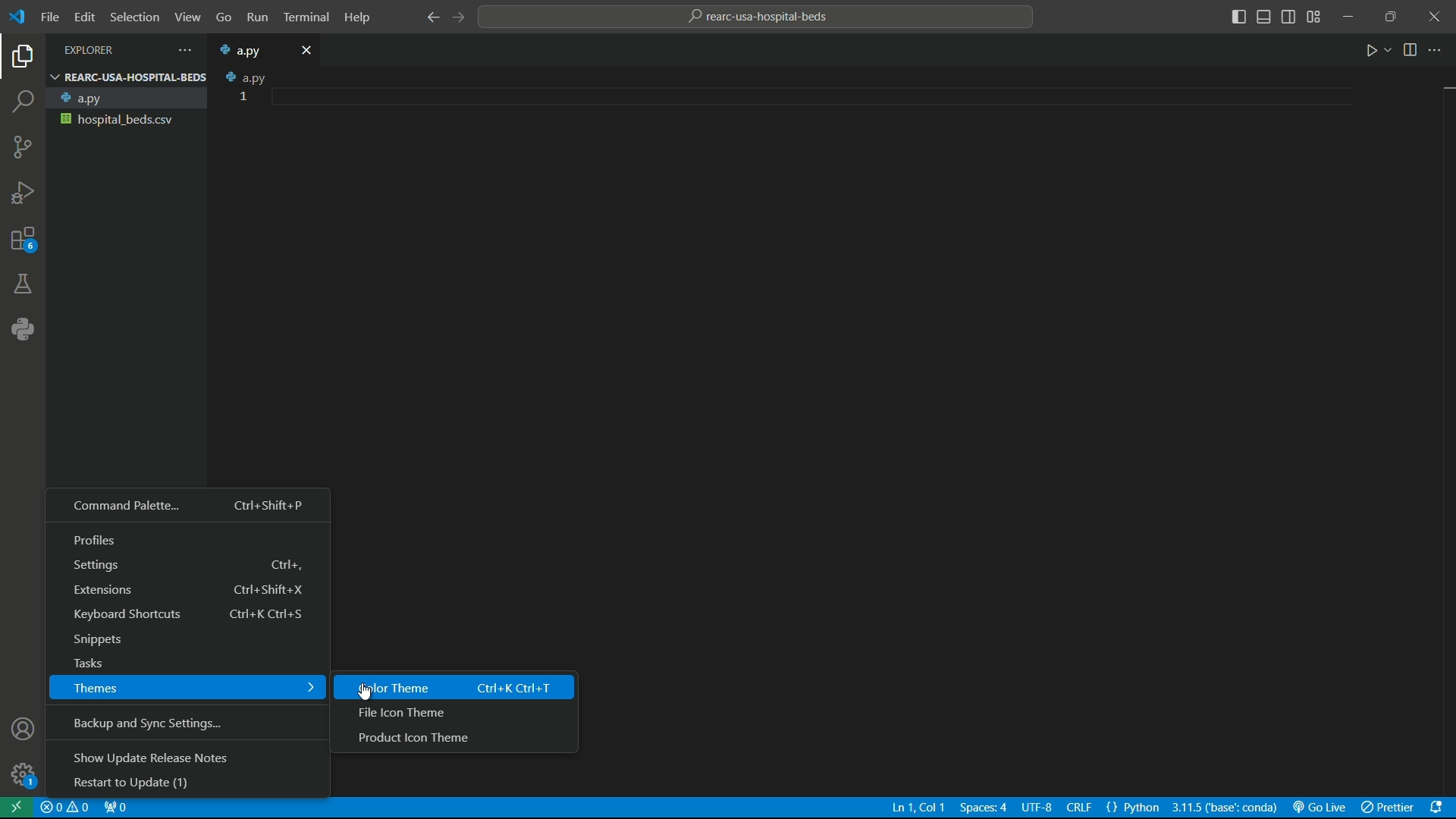  What do you see at coordinates (22, 776) in the screenshot?
I see `settings` at bounding box center [22, 776].